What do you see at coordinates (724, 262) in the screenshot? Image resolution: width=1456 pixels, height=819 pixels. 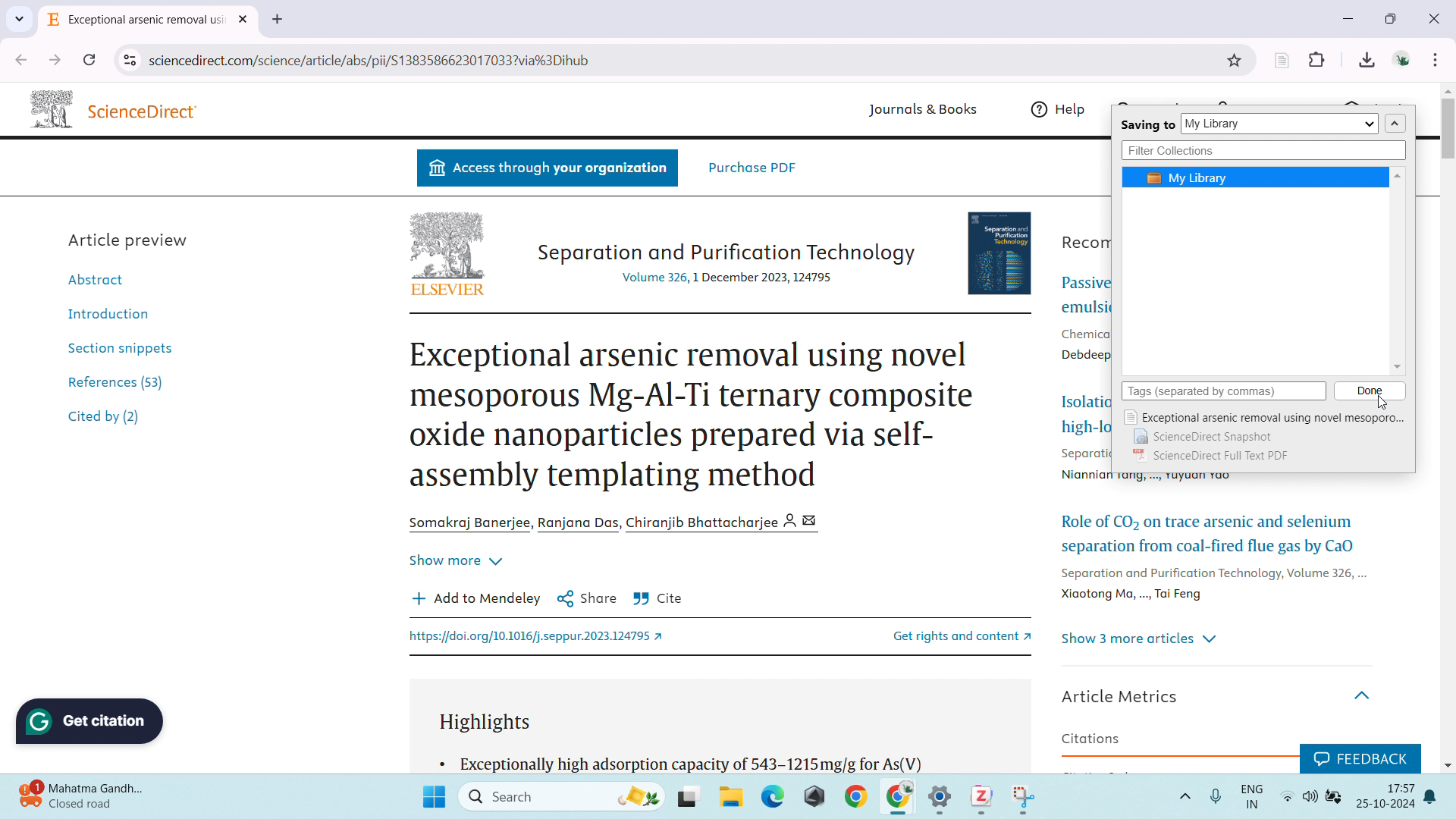 I see `Separation and Purification Technology Volume 326, 1 December 2023, 124795` at bounding box center [724, 262].